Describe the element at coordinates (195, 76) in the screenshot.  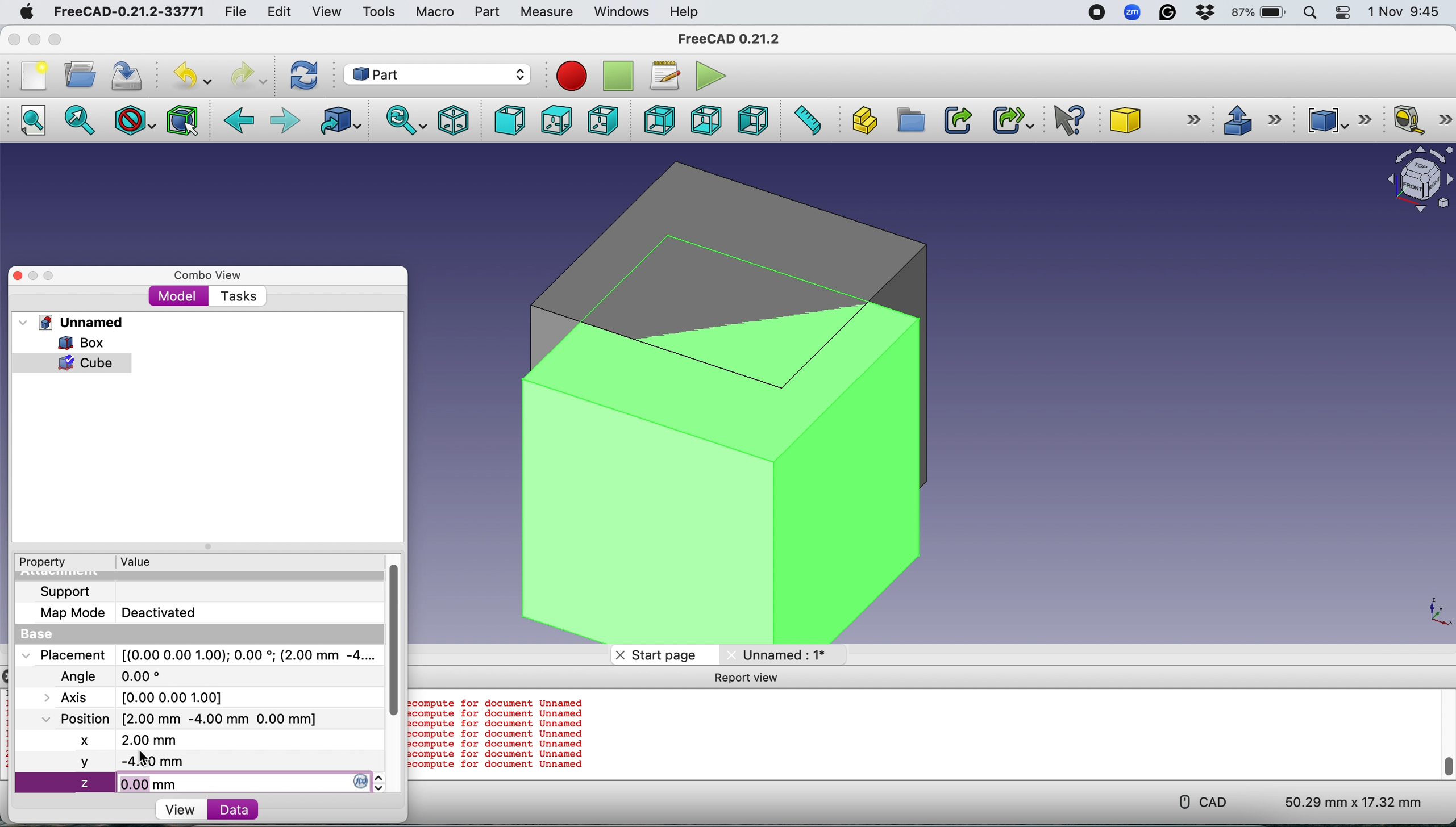
I see `Undo` at that location.